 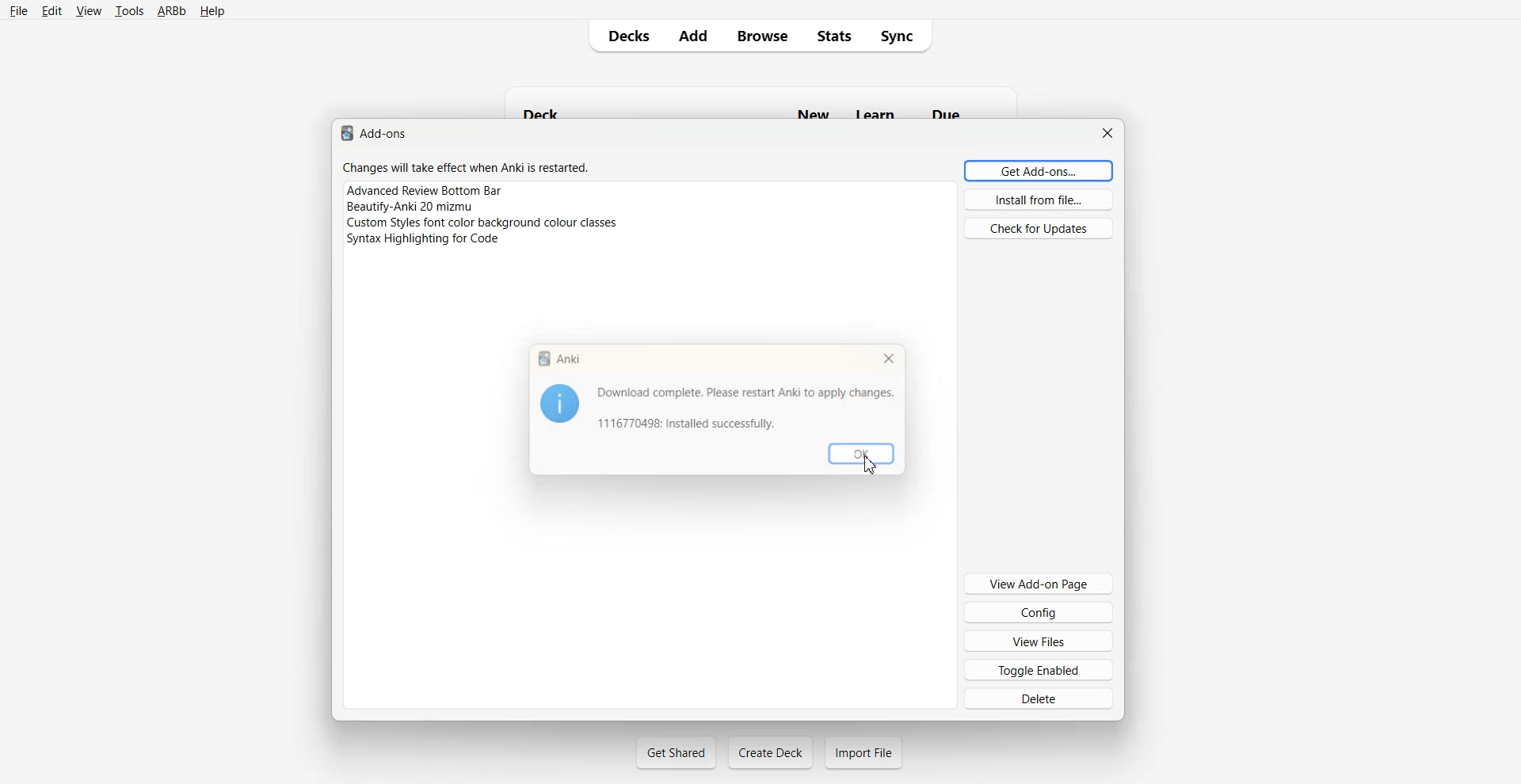 I want to click on OK, so click(x=862, y=453).